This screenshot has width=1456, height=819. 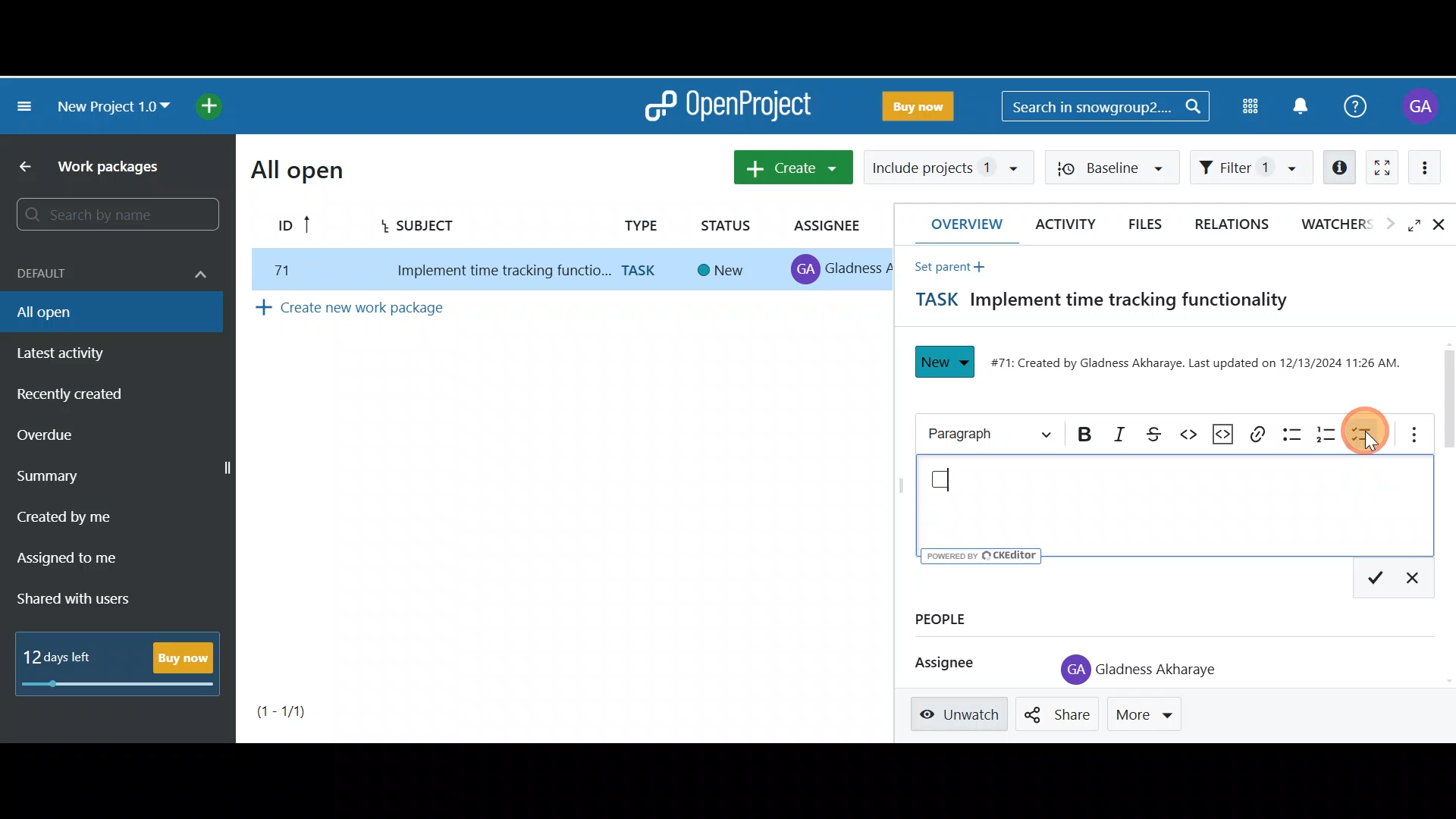 I want to click on Bold, so click(x=1080, y=436).